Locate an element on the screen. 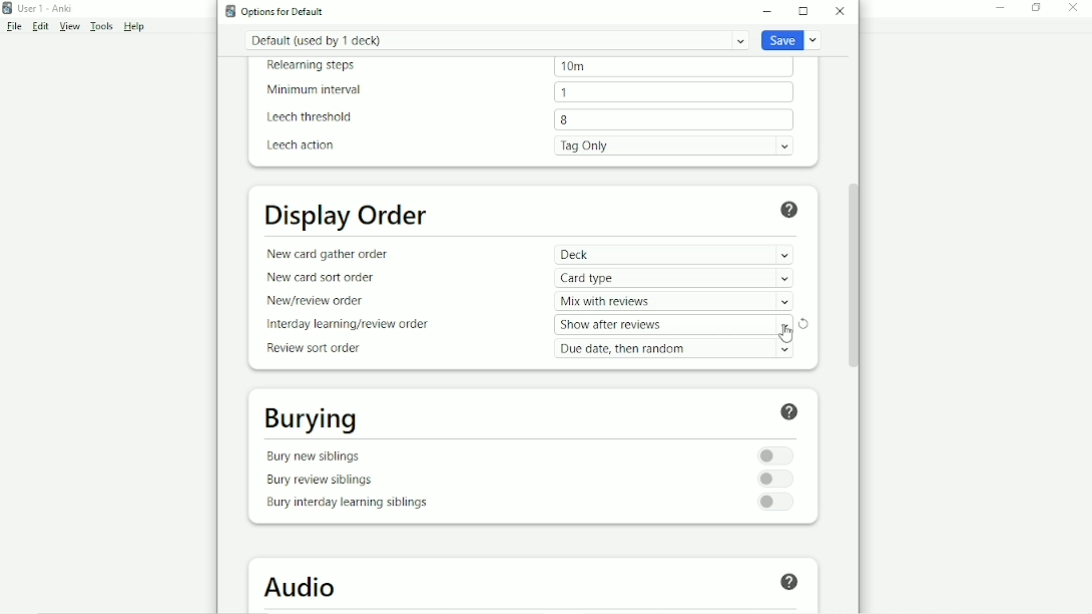  Interday learning/review order is located at coordinates (346, 325).